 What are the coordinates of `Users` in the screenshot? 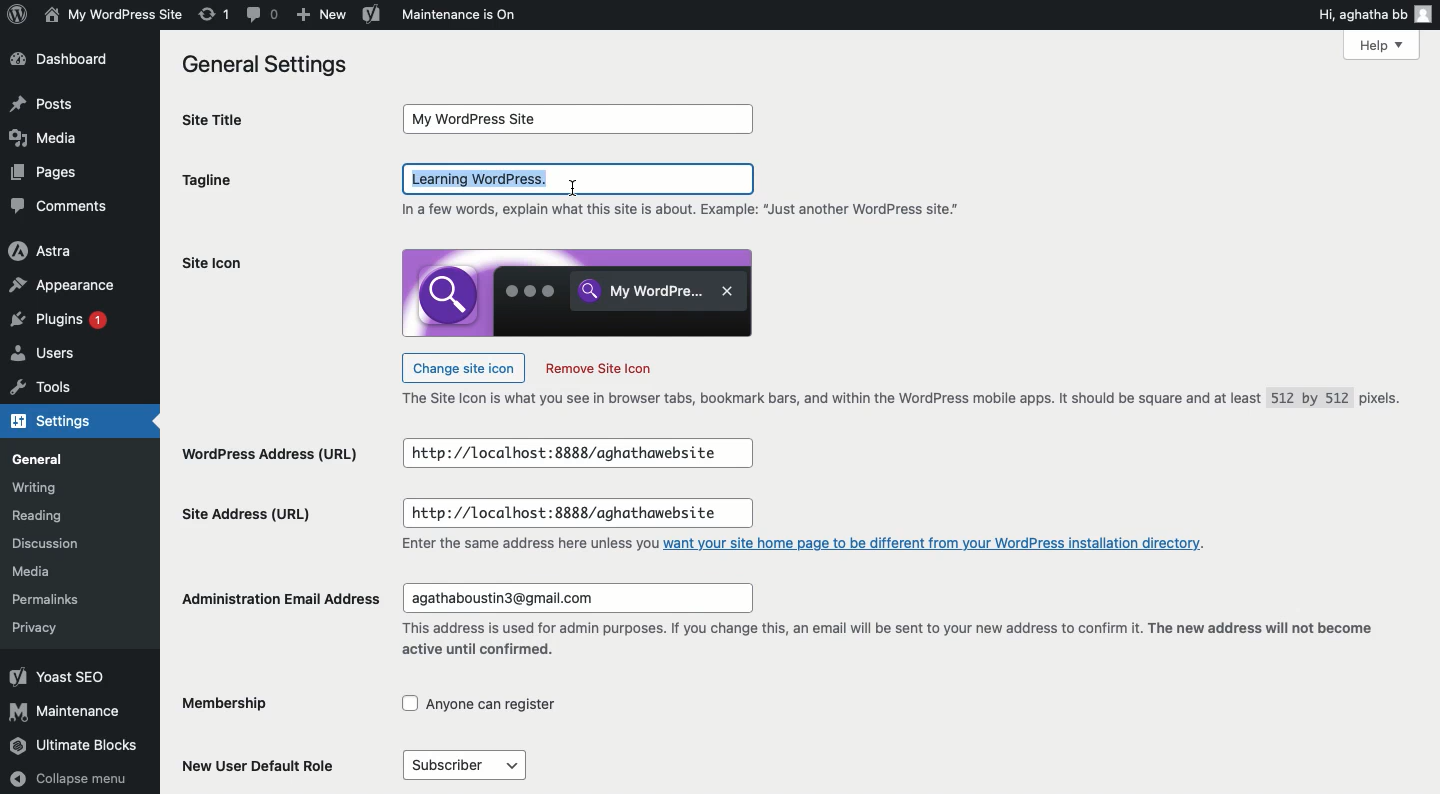 It's located at (46, 356).